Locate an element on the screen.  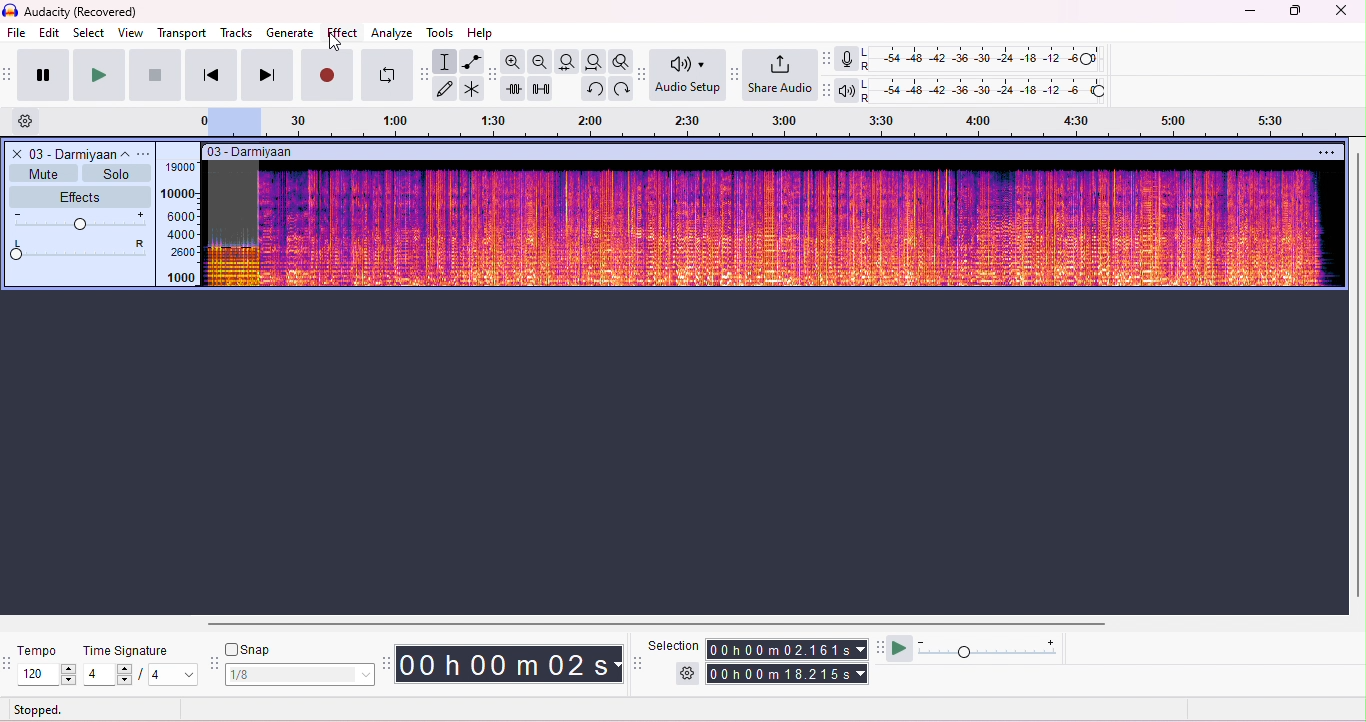
playback speed is located at coordinates (988, 648).